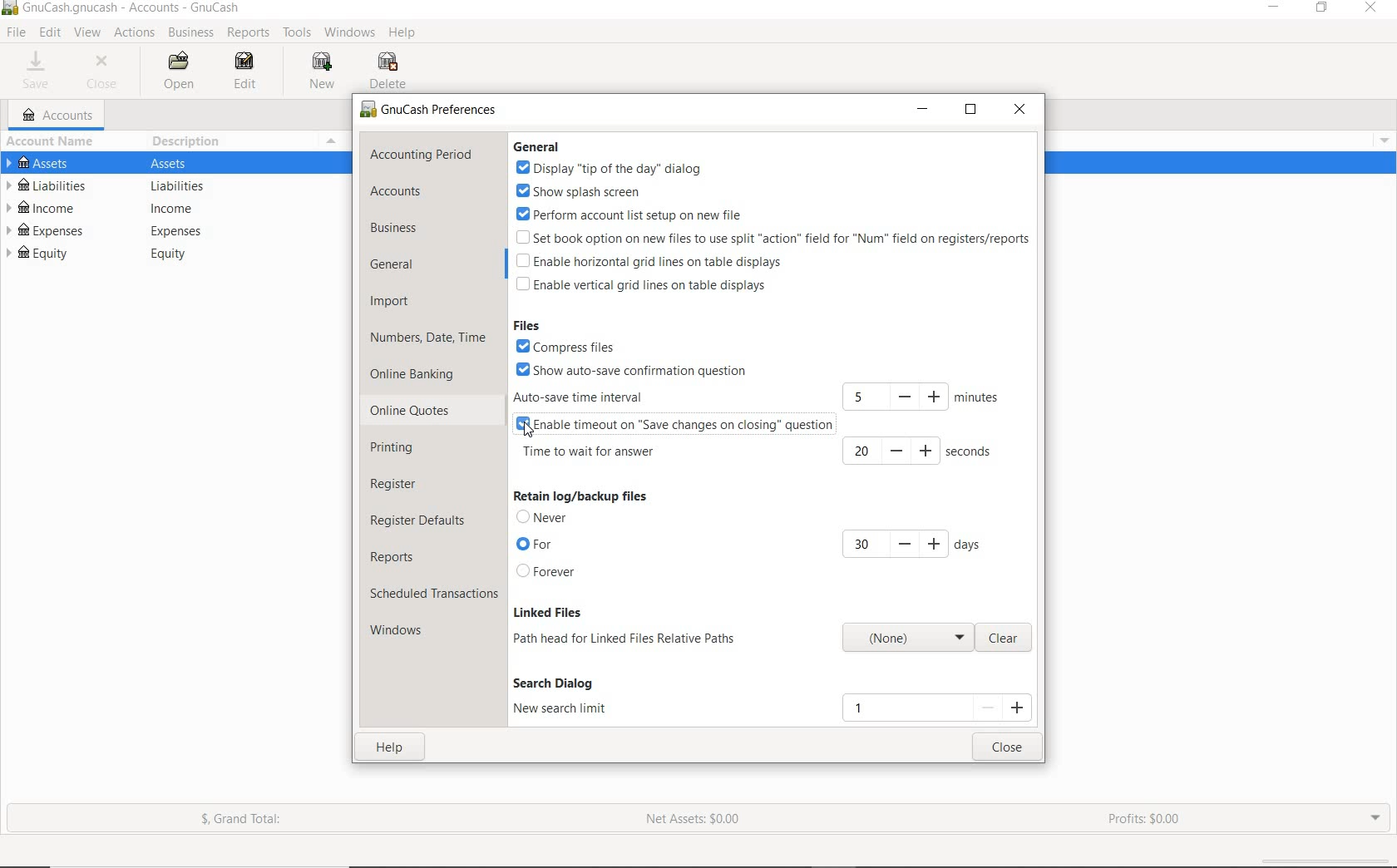 Image resolution: width=1397 pixels, height=868 pixels. I want to click on linked files, so click(546, 612).